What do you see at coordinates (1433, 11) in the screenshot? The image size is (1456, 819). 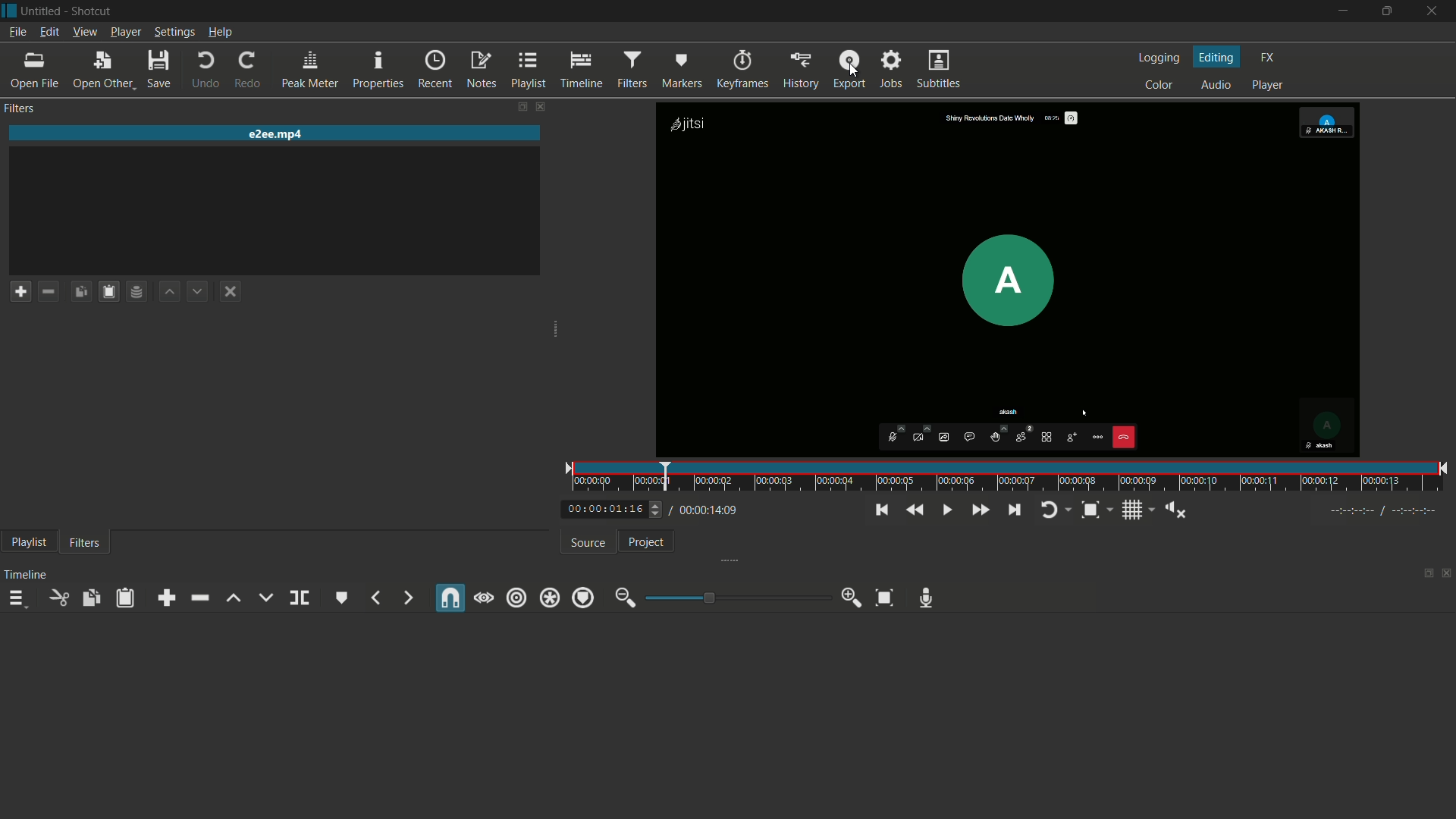 I see `close app` at bounding box center [1433, 11].